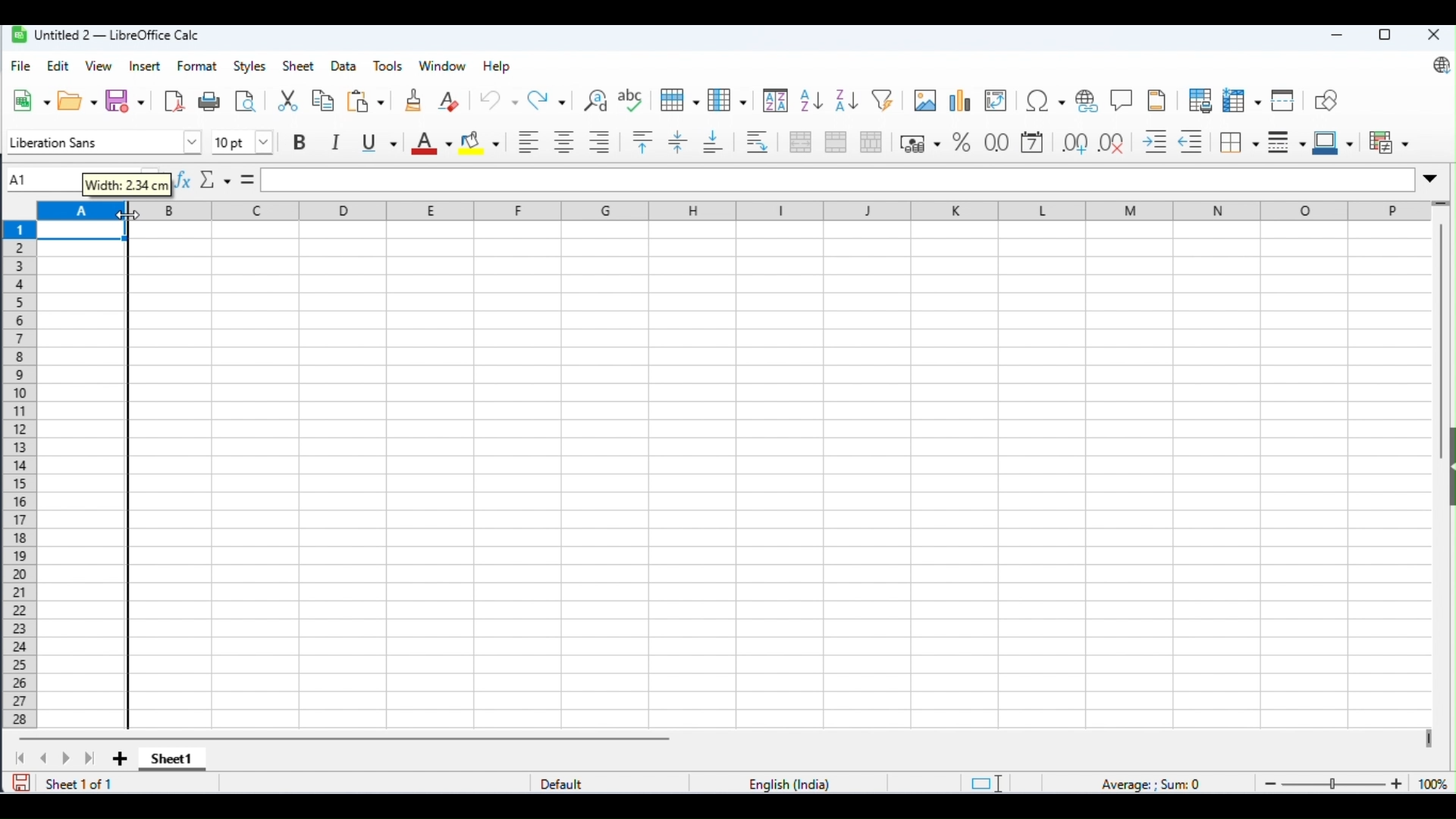 The width and height of the screenshot is (1456, 819). What do you see at coordinates (1335, 36) in the screenshot?
I see `minimize` at bounding box center [1335, 36].